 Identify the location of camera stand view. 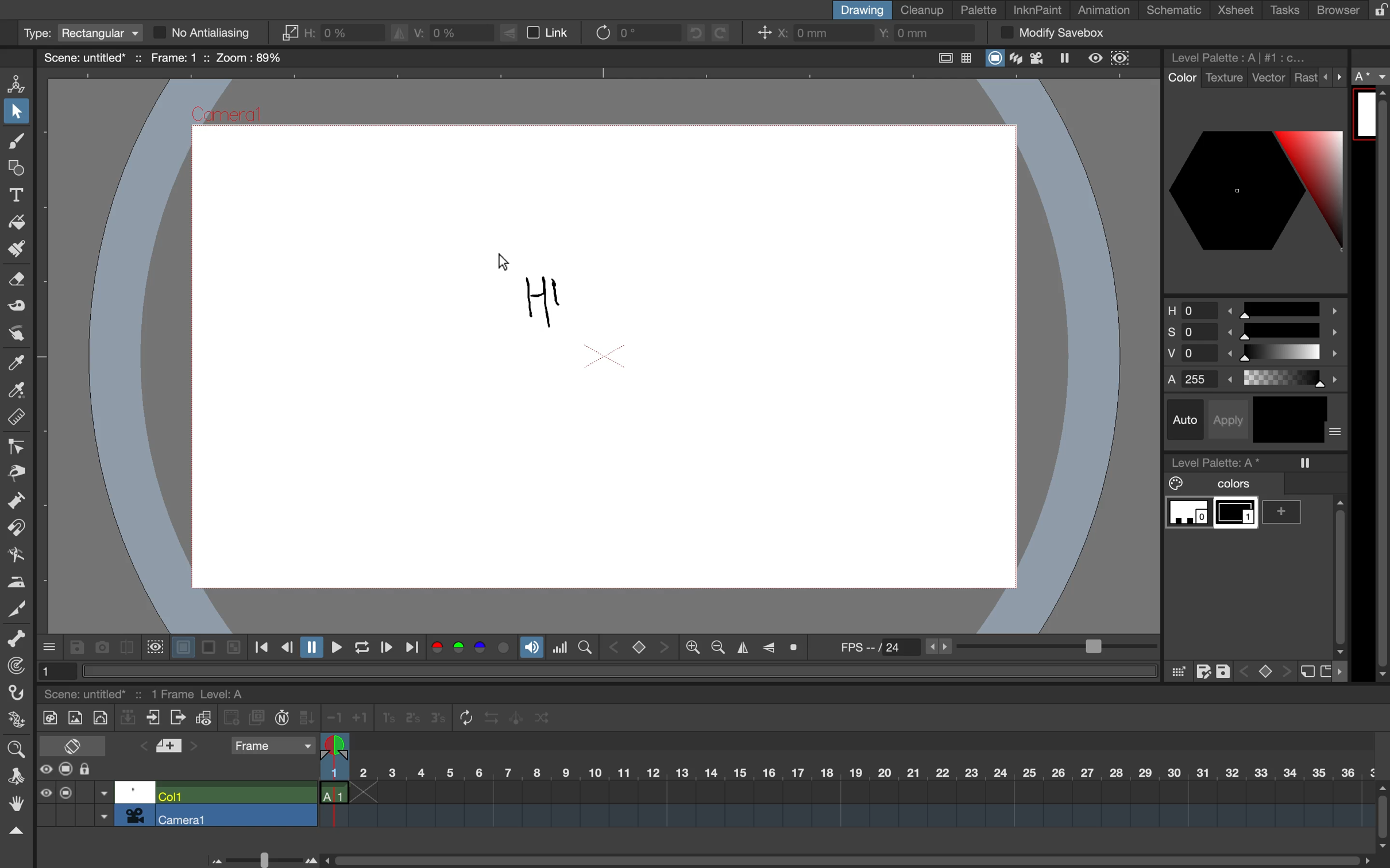
(993, 59).